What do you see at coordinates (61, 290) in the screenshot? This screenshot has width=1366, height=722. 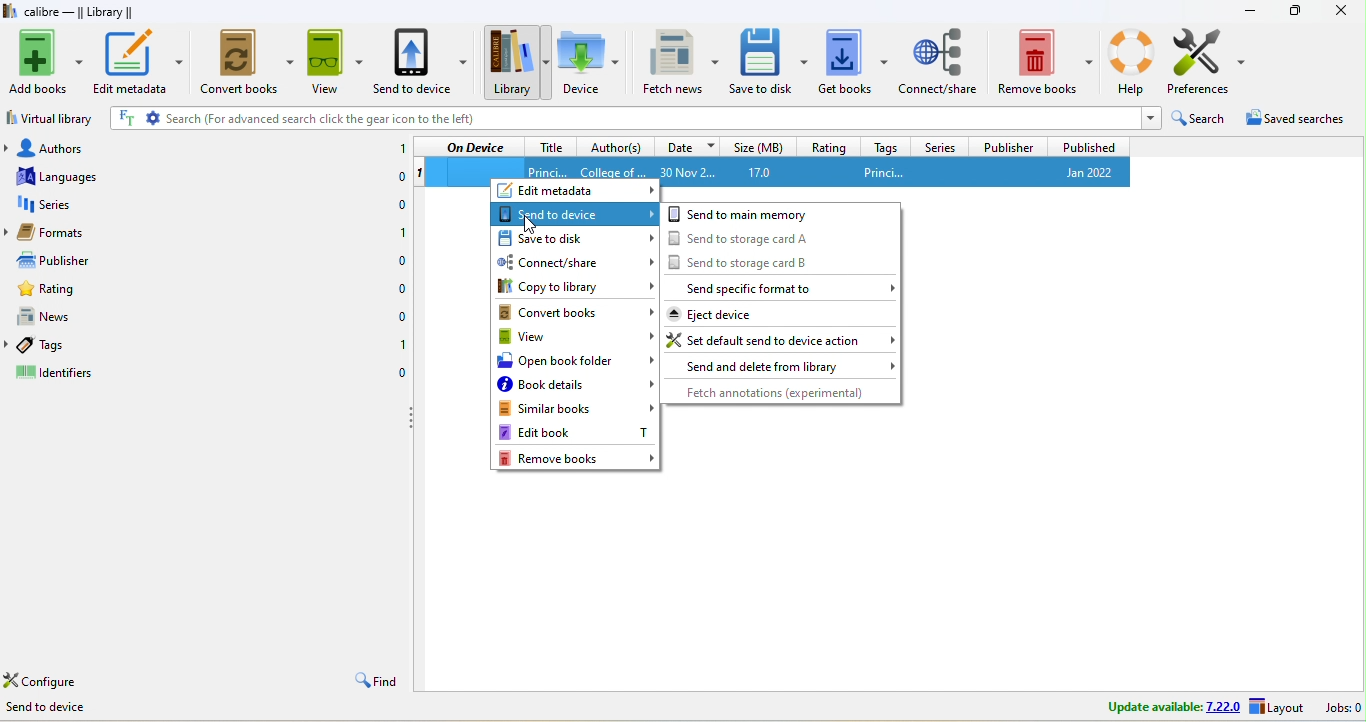 I see `rating` at bounding box center [61, 290].